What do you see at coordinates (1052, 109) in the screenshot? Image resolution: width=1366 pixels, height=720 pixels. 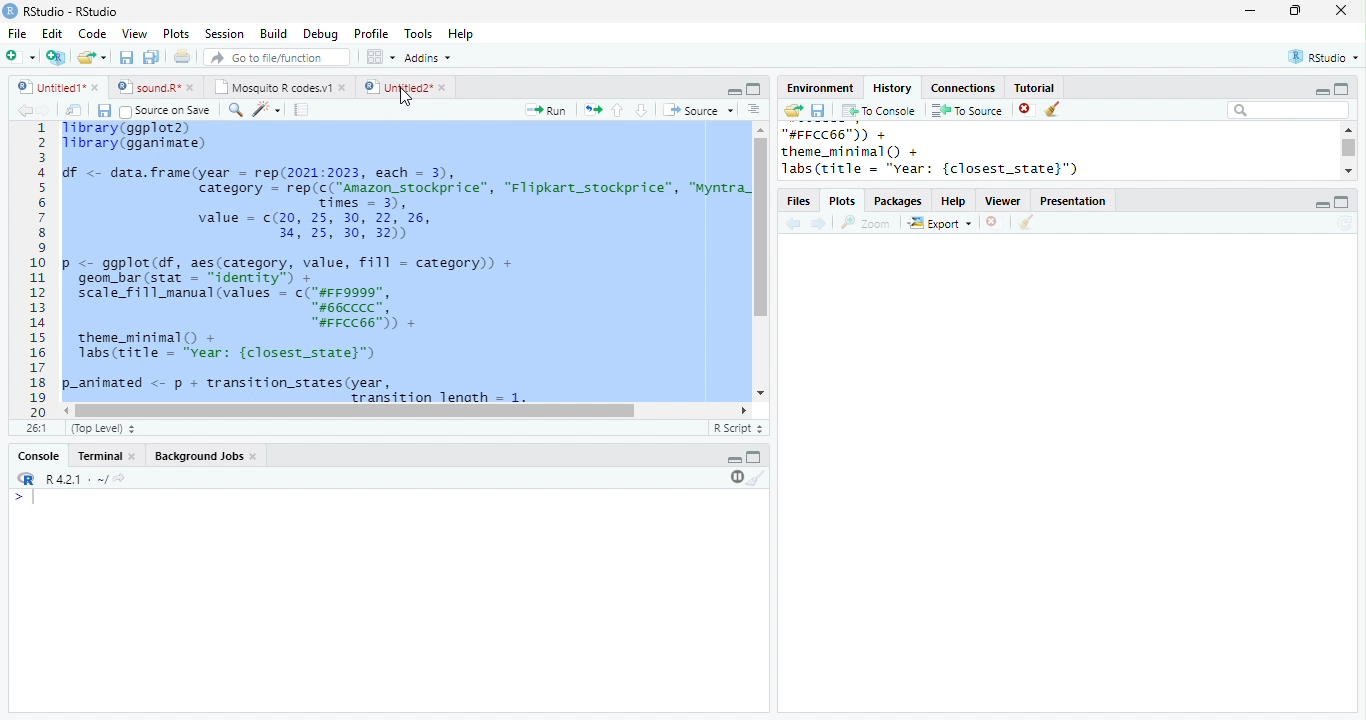 I see `clear` at bounding box center [1052, 109].